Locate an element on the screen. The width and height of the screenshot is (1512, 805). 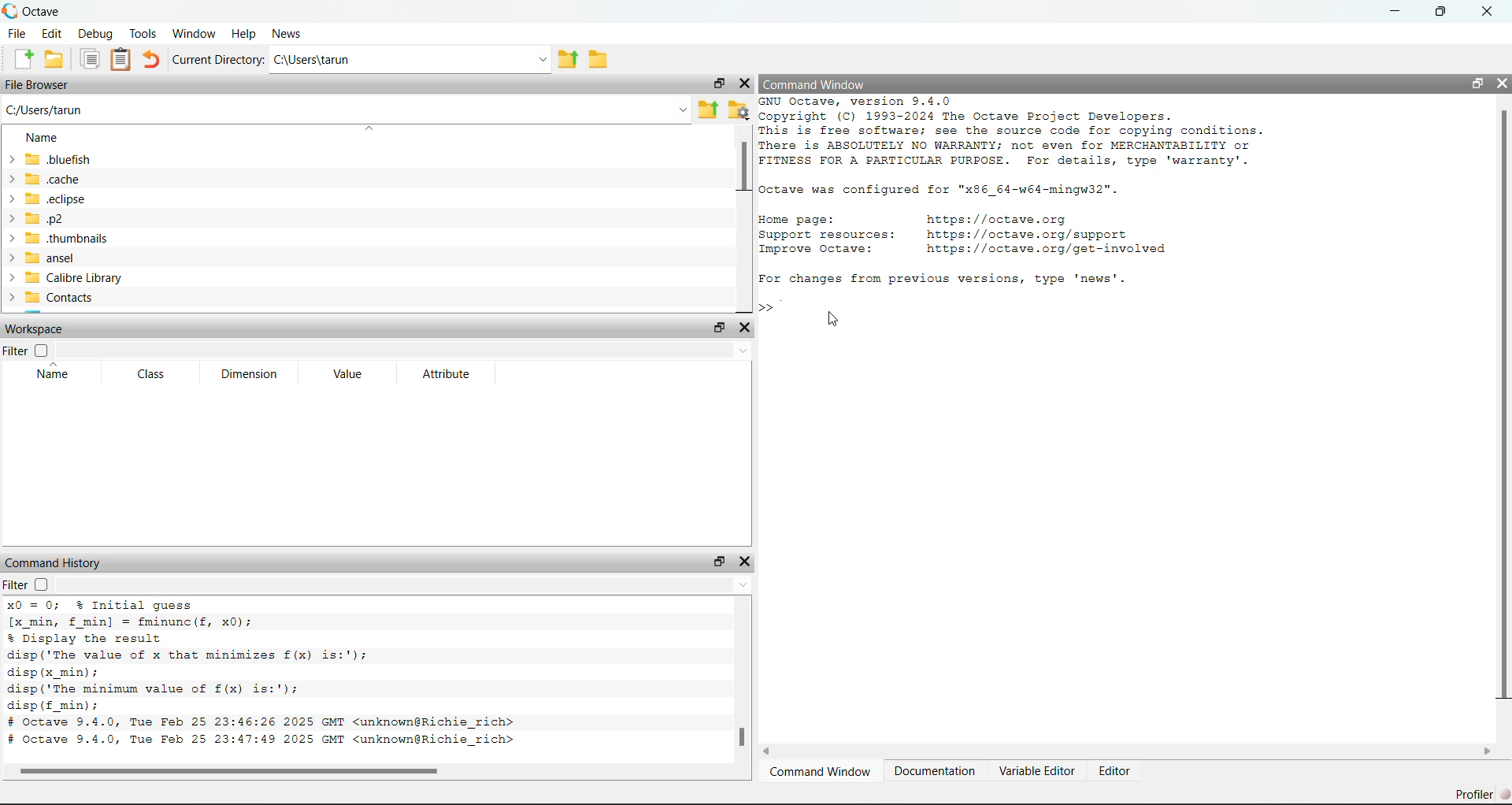
Help is located at coordinates (242, 31).